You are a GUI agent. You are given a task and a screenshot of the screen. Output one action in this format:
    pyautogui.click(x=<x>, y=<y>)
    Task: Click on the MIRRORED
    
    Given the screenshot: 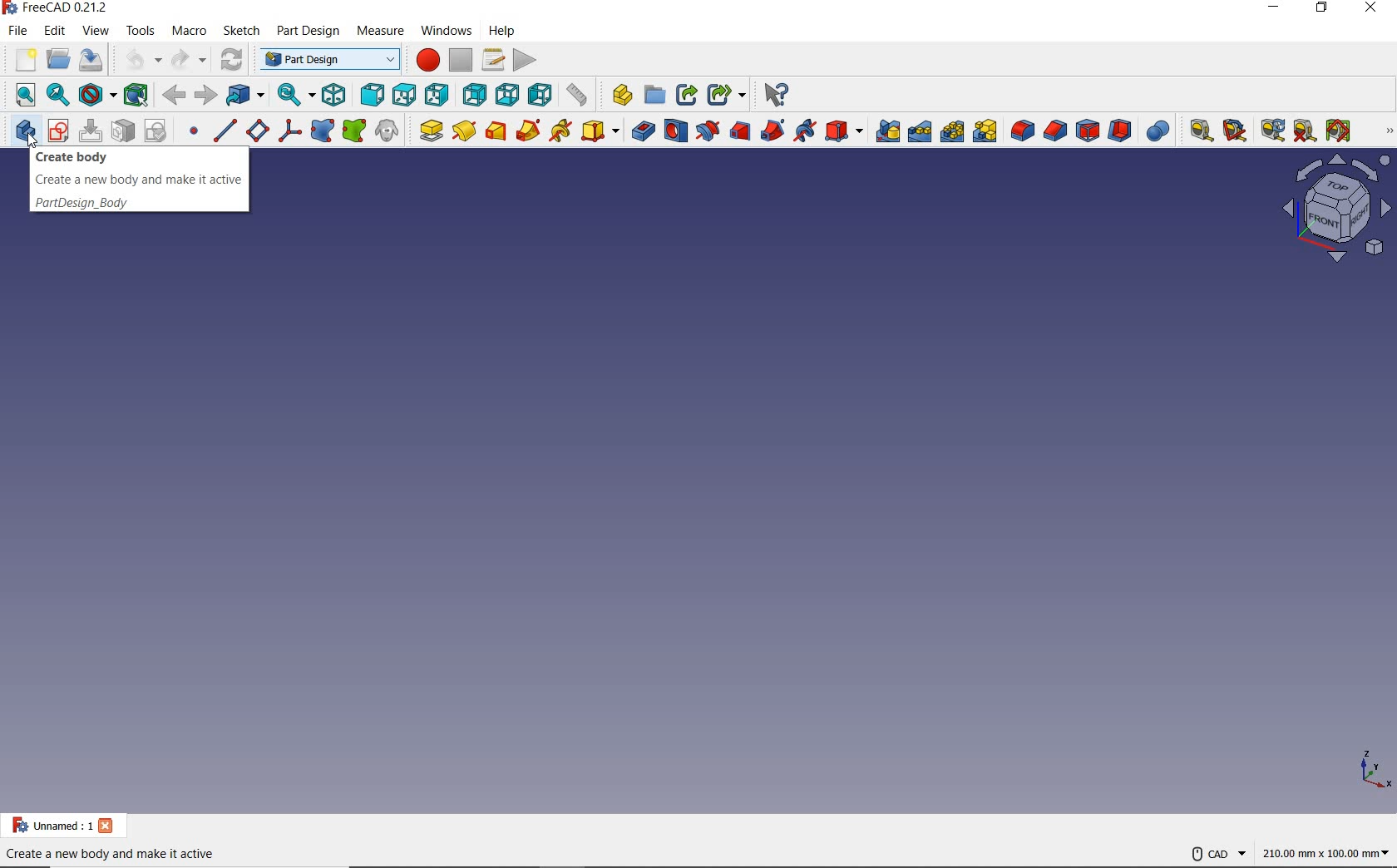 What is the action you would take?
    pyautogui.click(x=887, y=131)
    